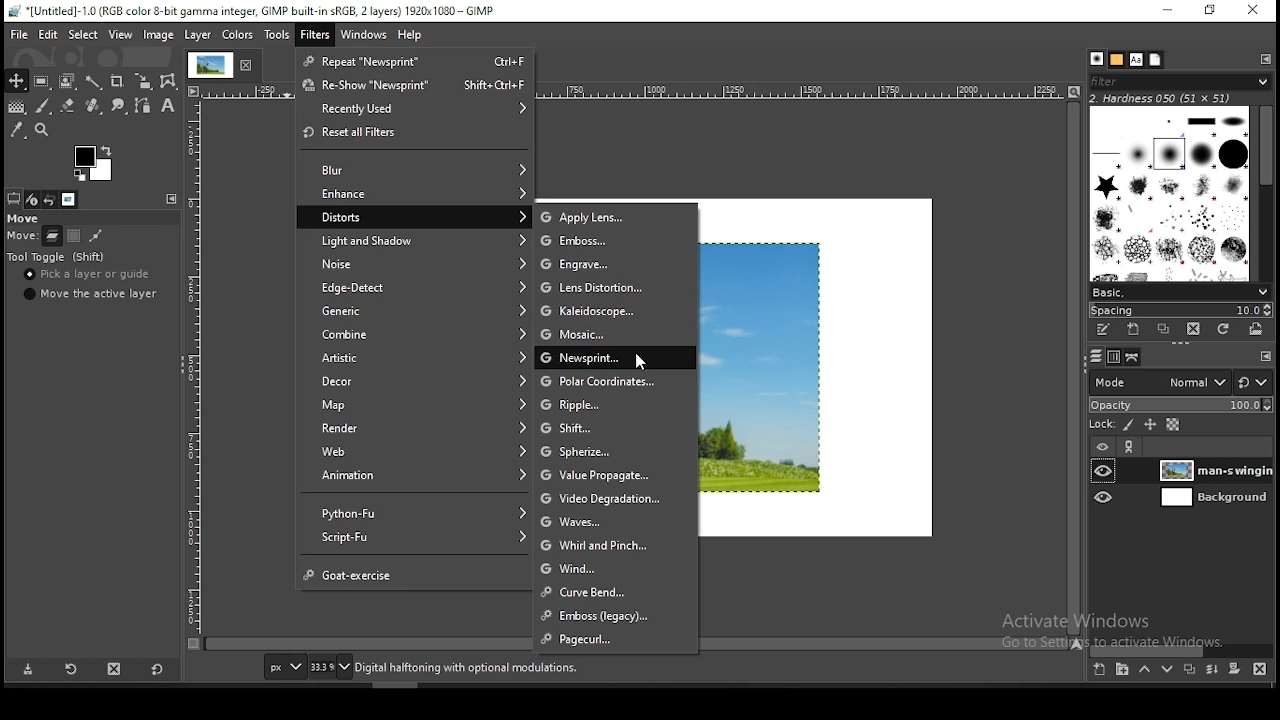 The width and height of the screenshot is (1280, 720). Describe the element at coordinates (415, 238) in the screenshot. I see `light and shadow` at that location.